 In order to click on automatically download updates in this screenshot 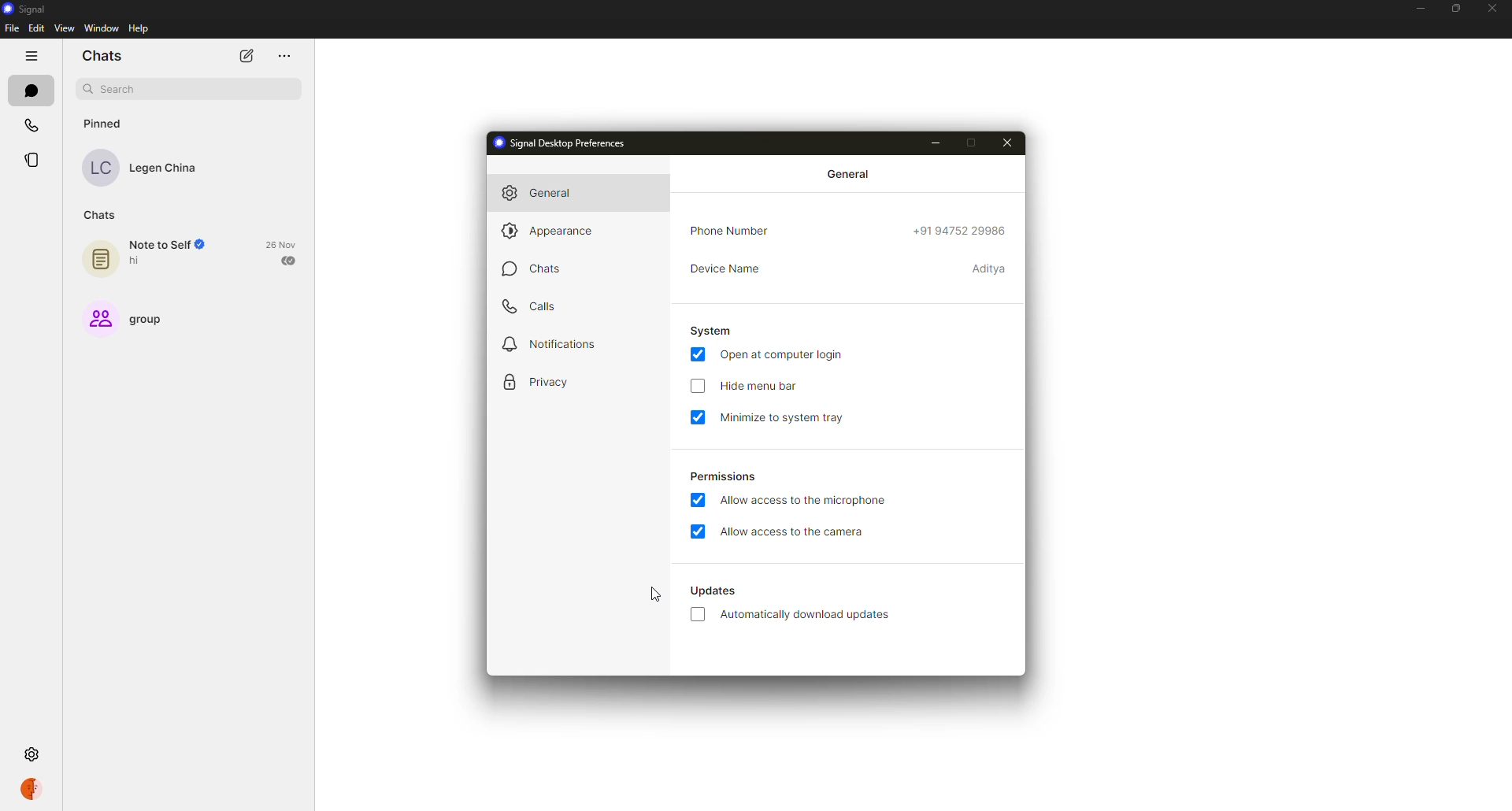, I will do `click(810, 614)`.